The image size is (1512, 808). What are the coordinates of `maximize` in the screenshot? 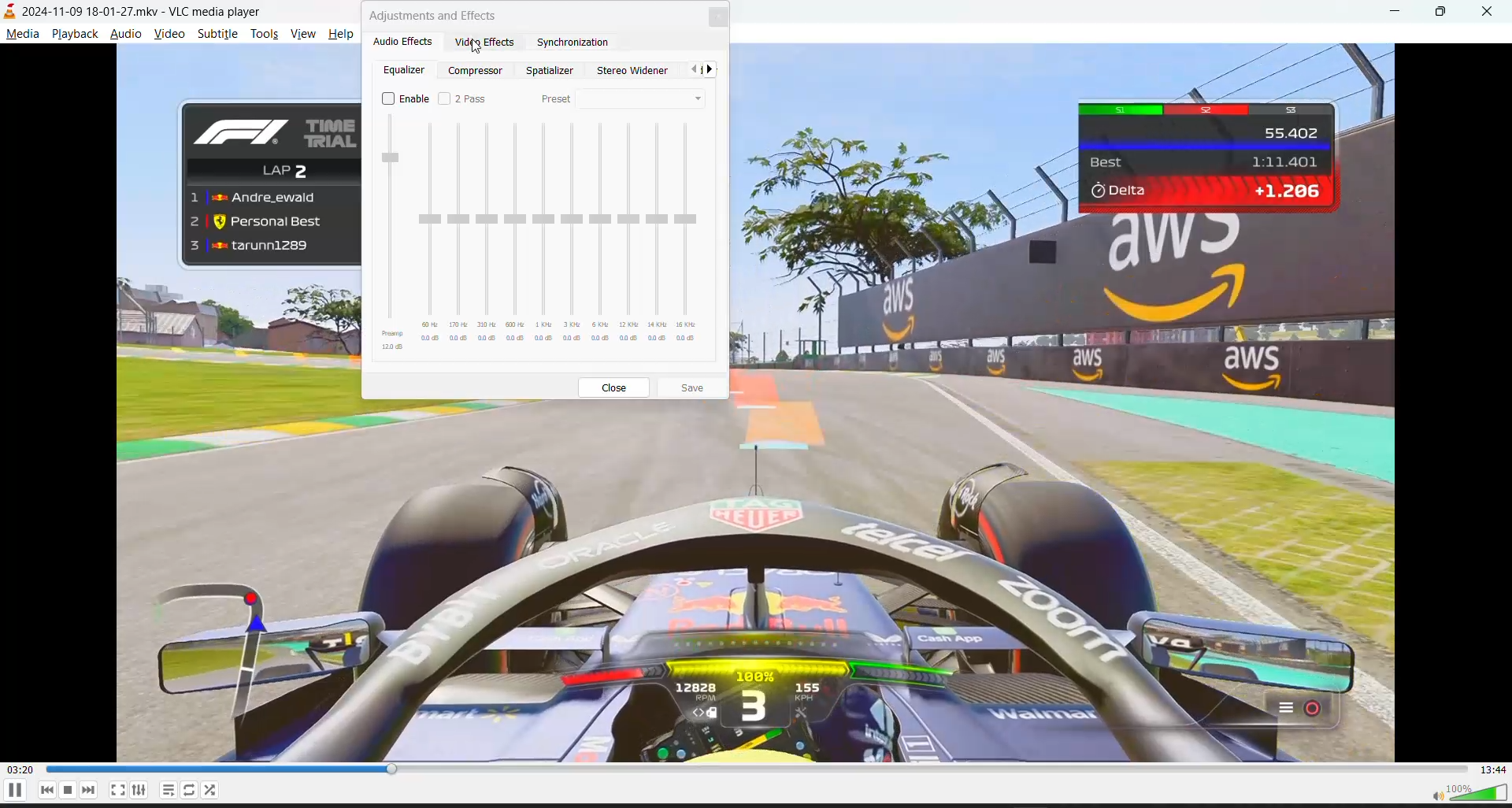 It's located at (1440, 13).